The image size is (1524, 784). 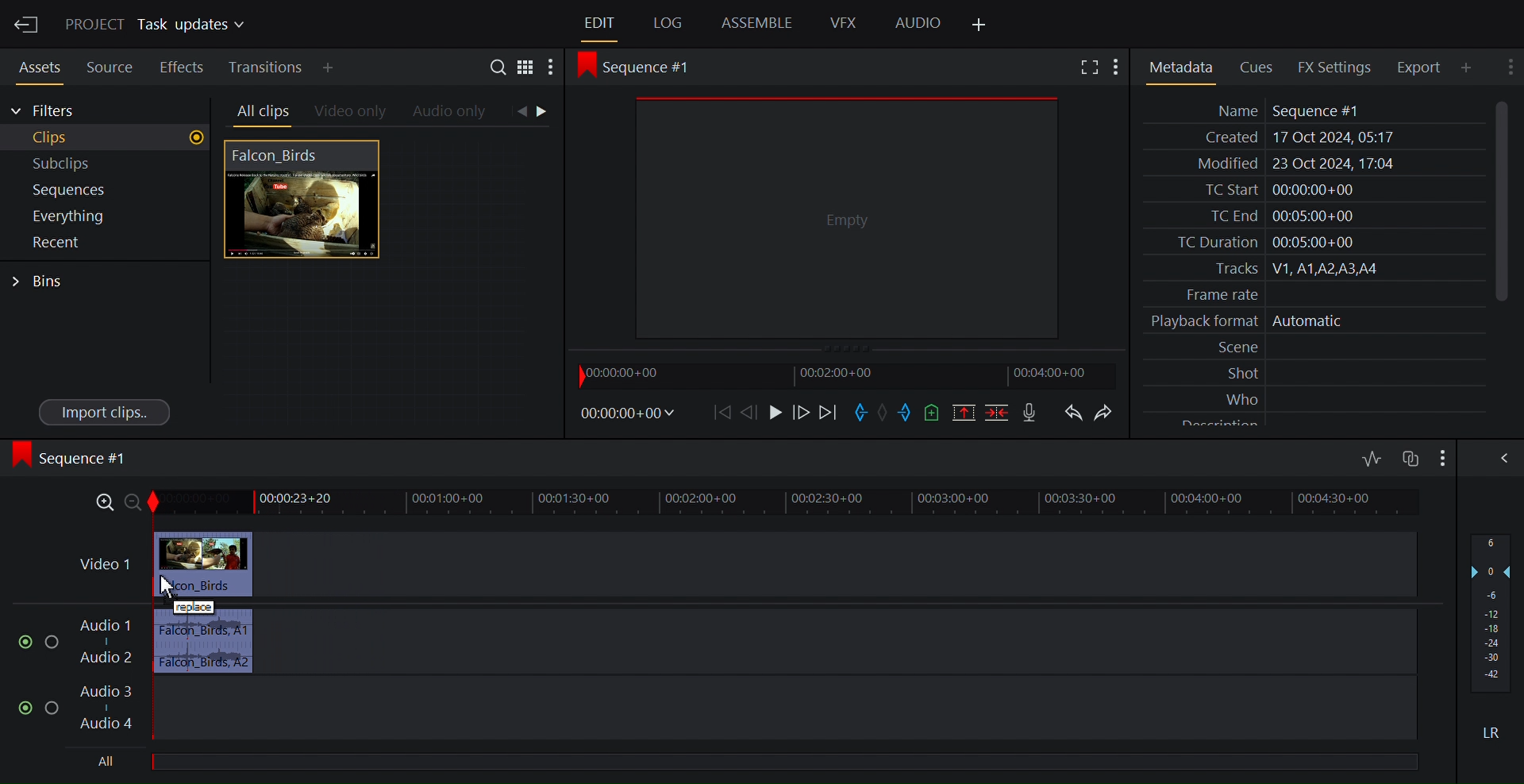 What do you see at coordinates (528, 70) in the screenshot?
I see `Toggle between list and tile view` at bounding box center [528, 70].